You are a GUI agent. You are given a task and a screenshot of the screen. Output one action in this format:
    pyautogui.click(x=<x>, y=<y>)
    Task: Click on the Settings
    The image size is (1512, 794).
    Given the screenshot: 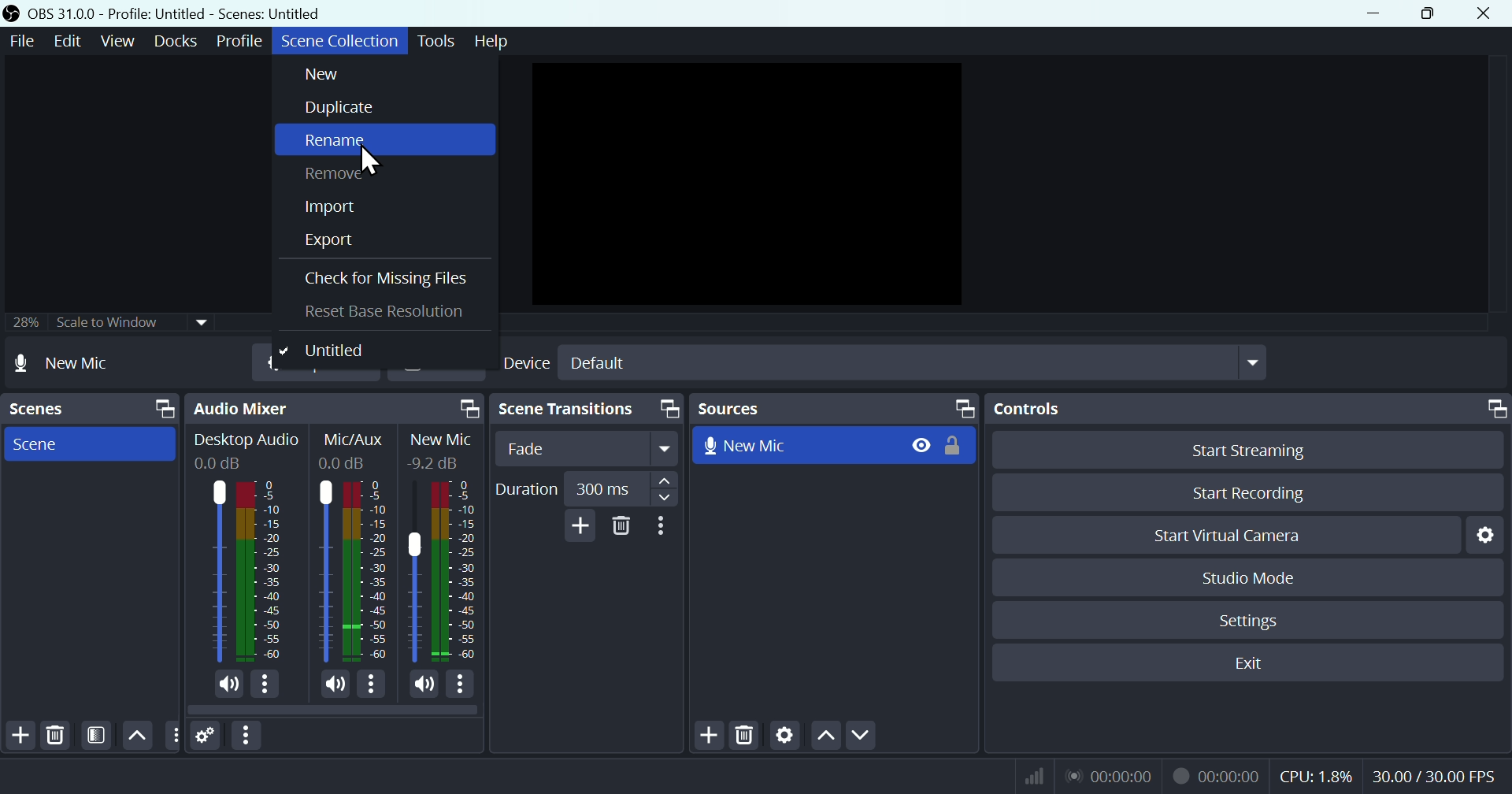 What is the action you would take?
    pyautogui.click(x=1491, y=540)
    